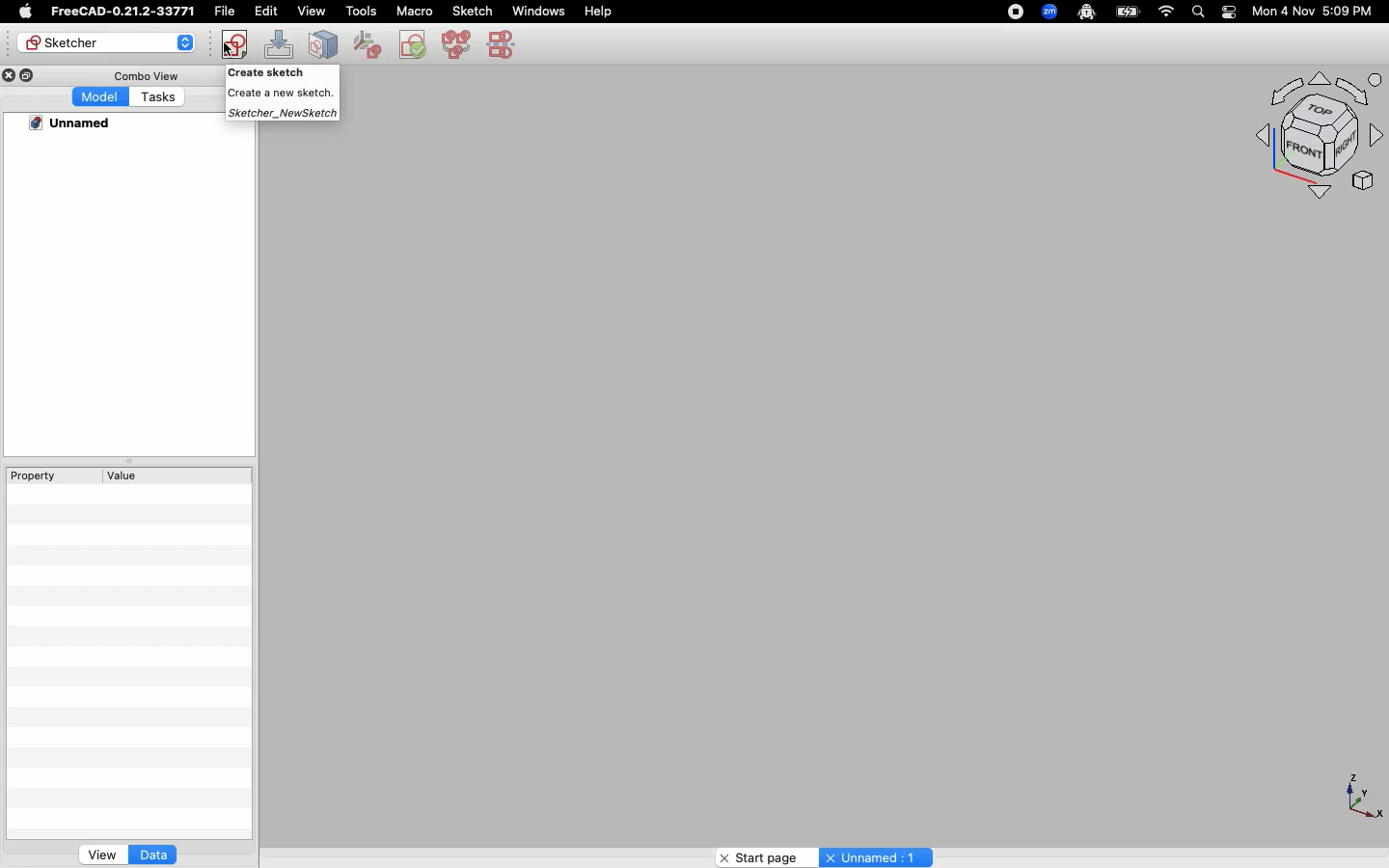 This screenshot has width=1389, height=868. I want to click on Property, so click(53, 475).